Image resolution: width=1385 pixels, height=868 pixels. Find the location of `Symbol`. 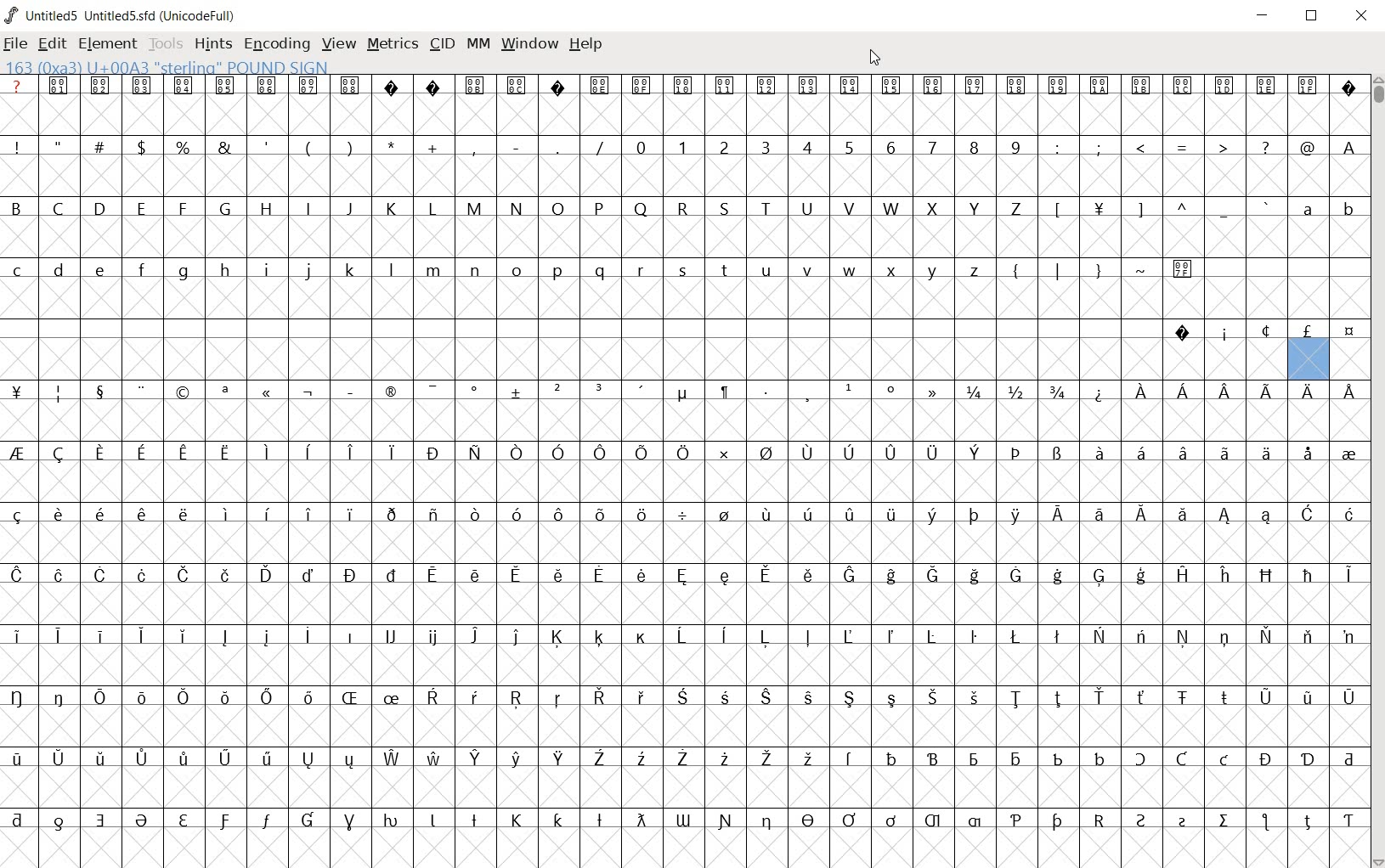

Symbol is located at coordinates (390, 453).